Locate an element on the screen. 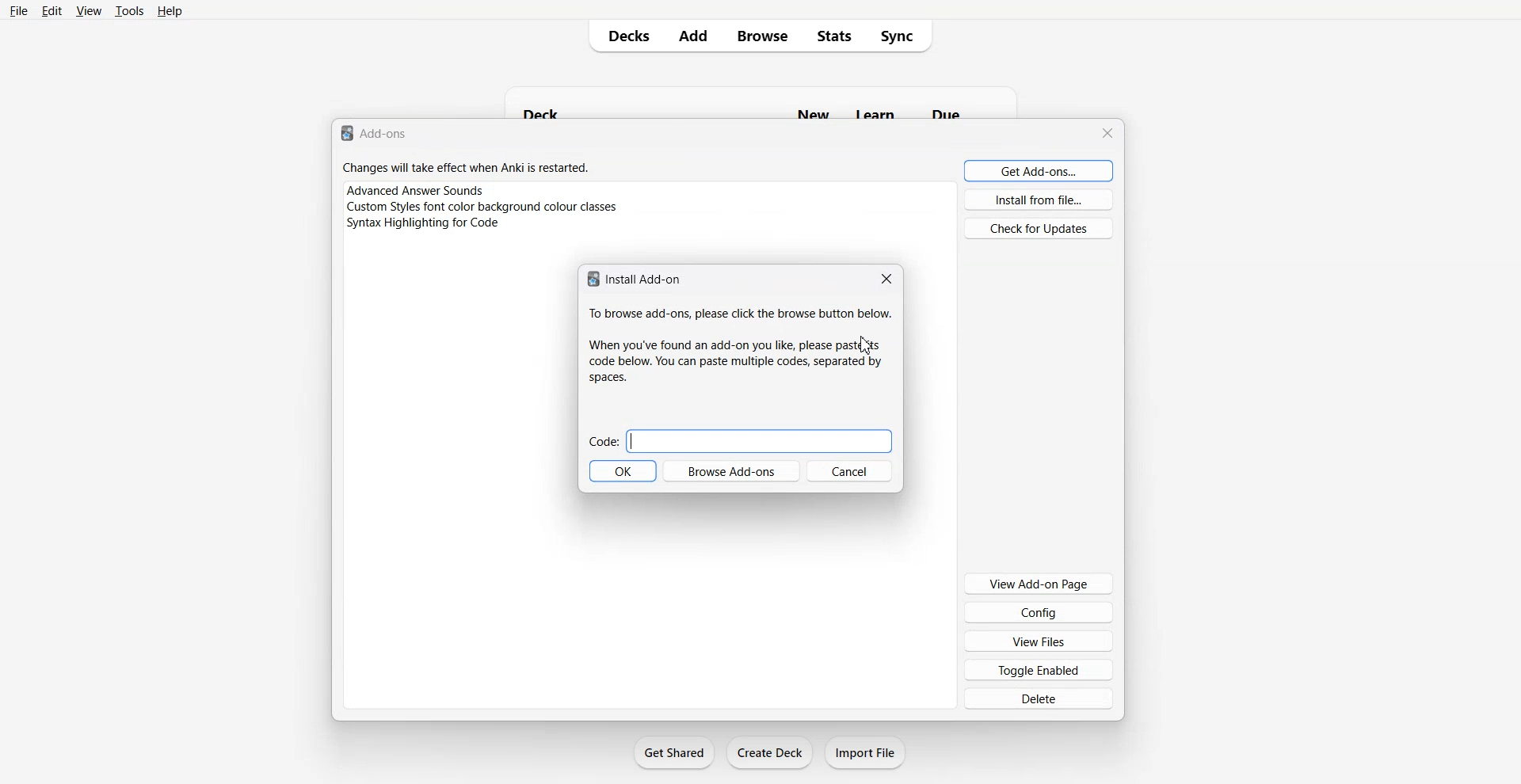 This screenshot has width=1521, height=784. Get Shared is located at coordinates (675, 752).